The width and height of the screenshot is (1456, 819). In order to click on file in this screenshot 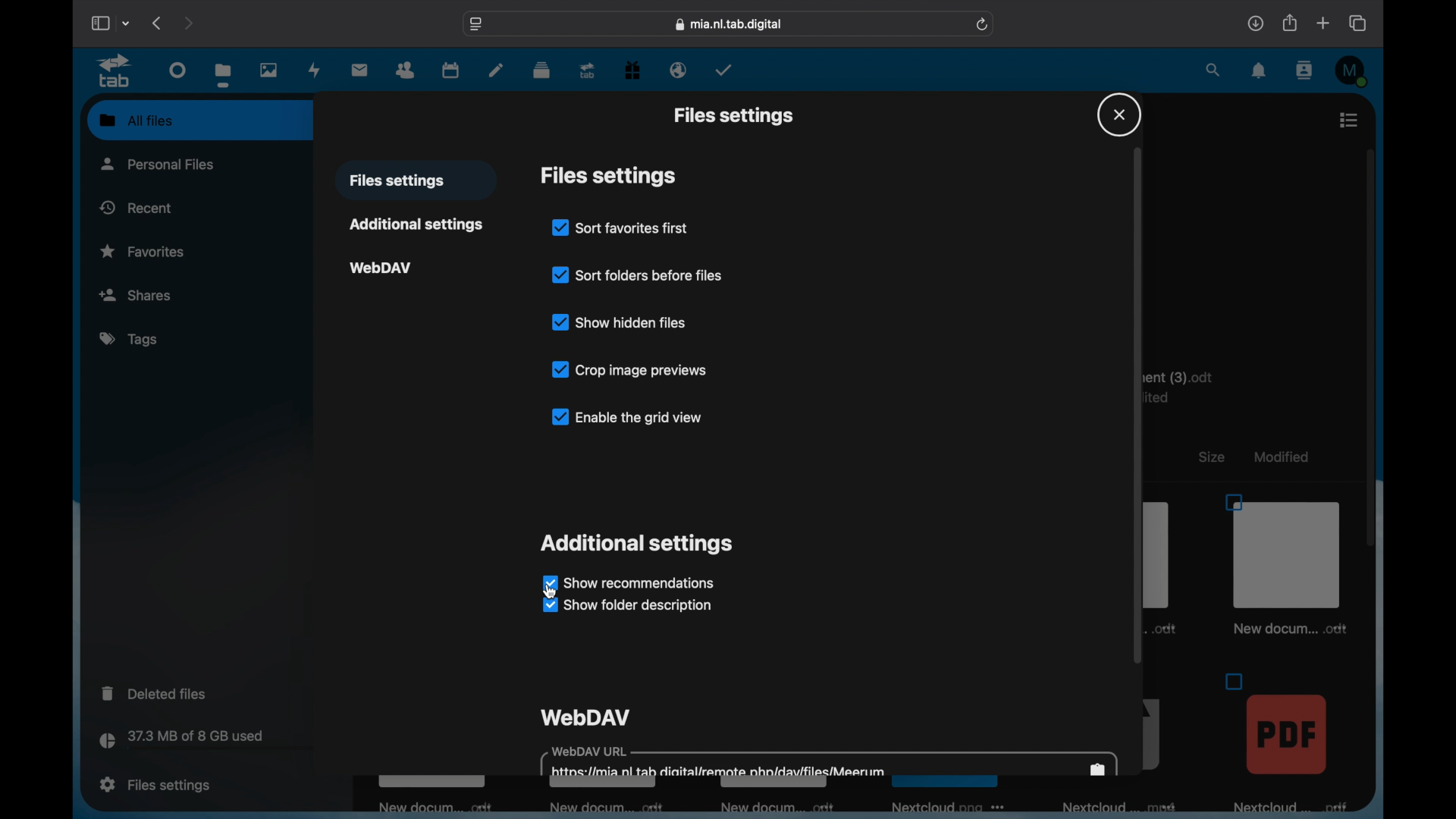, I will do `click(1285, 742)`.